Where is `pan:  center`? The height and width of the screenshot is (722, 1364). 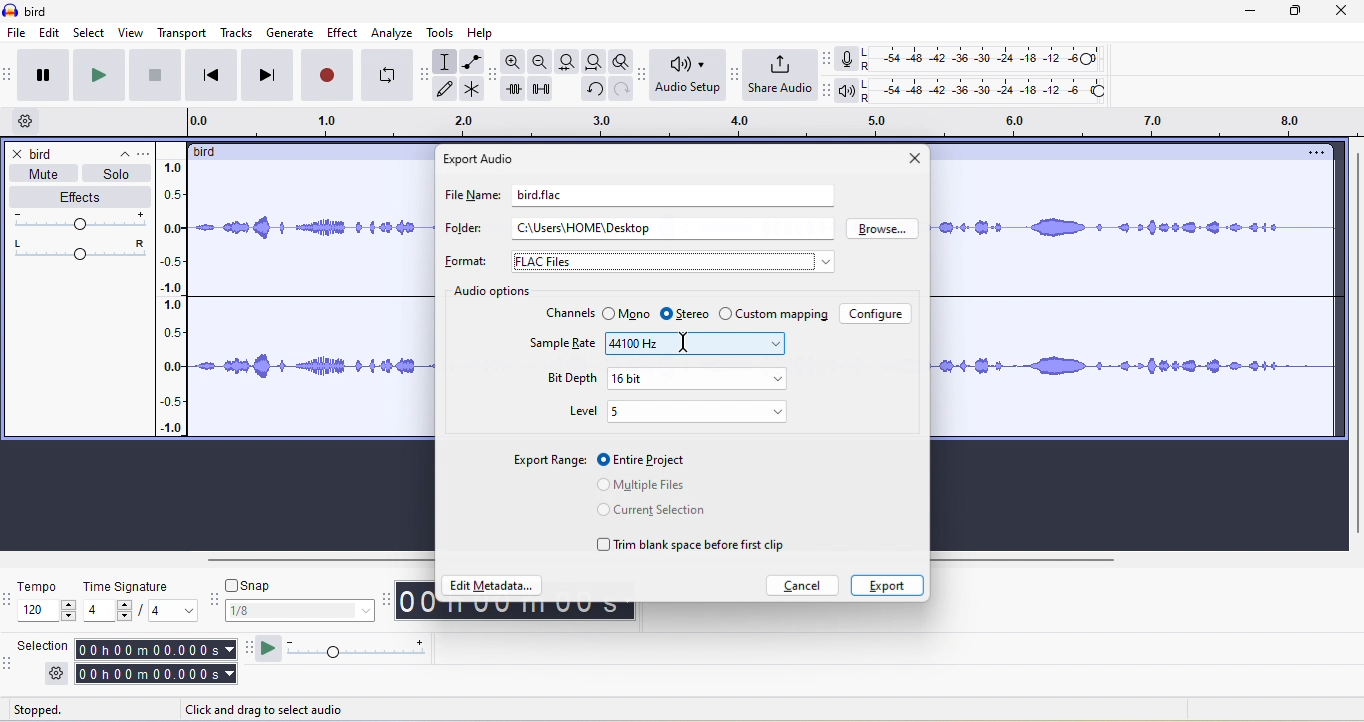
pan:  center is located at coordinates (80, 248).